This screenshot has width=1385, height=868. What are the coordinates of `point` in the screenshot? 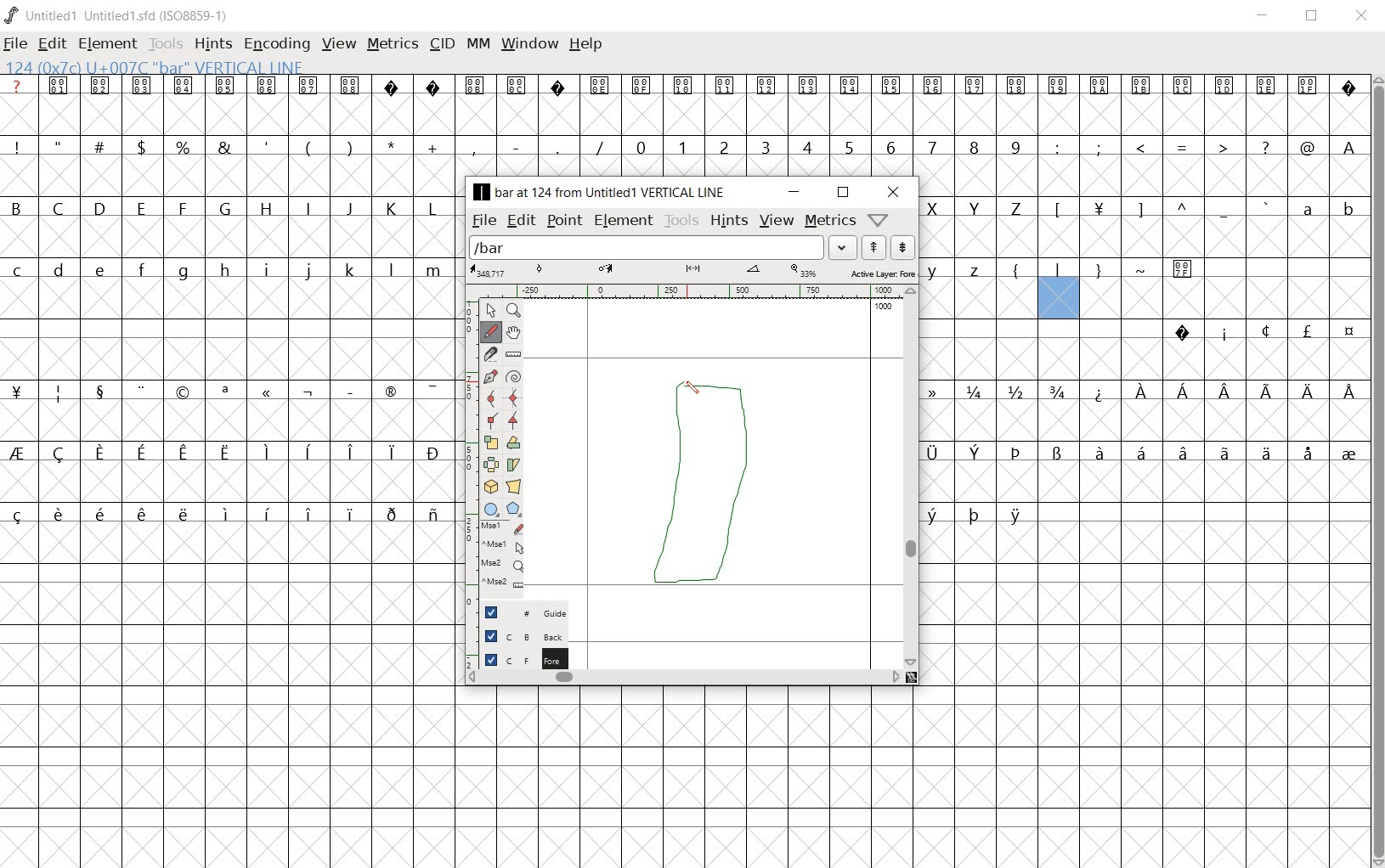 It's located at (564, 219).